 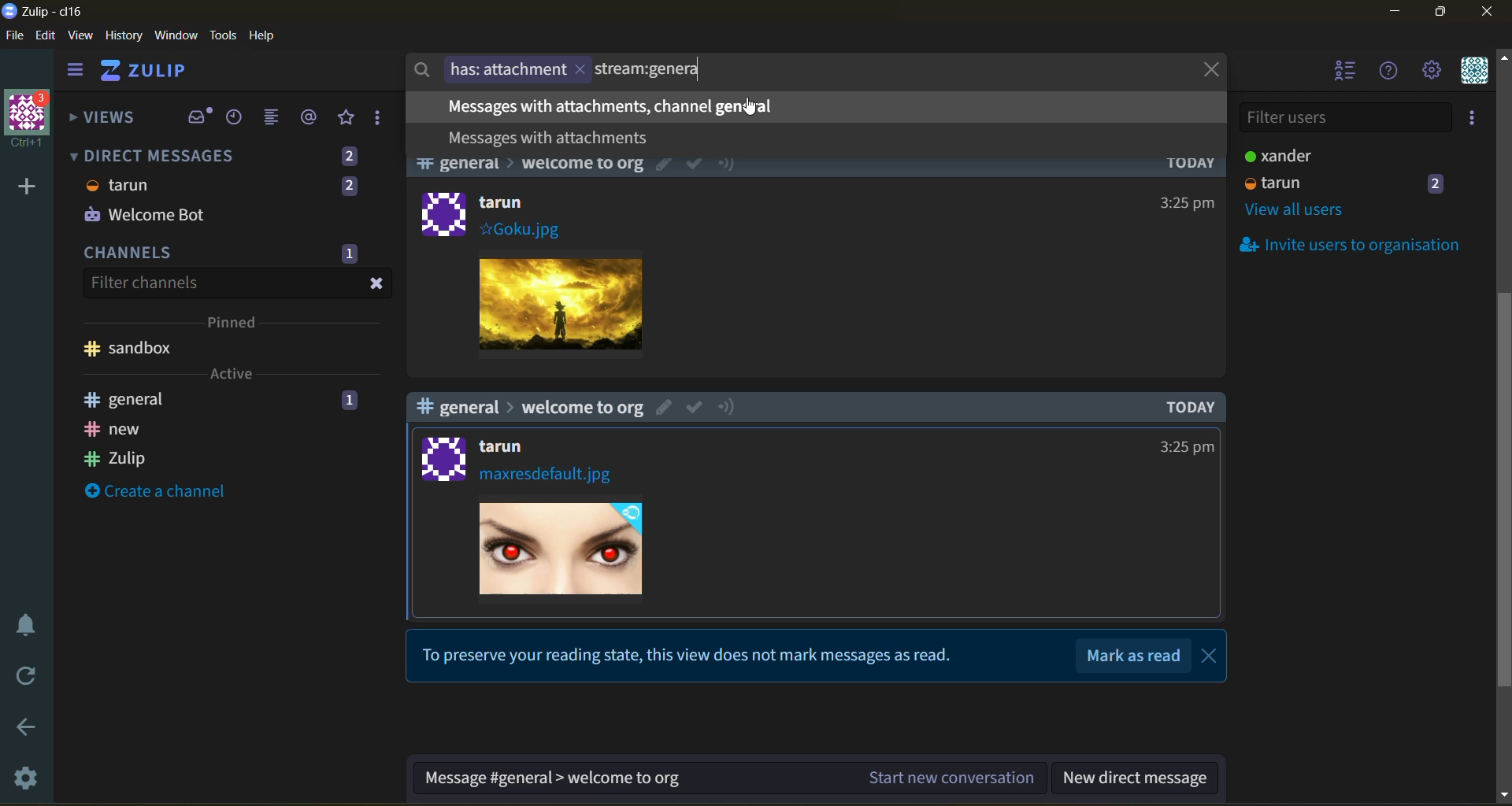 What do you see at coordinates (1395, 12) in the screenshot?
I see `minimize` at bounding box center [1395, 12].